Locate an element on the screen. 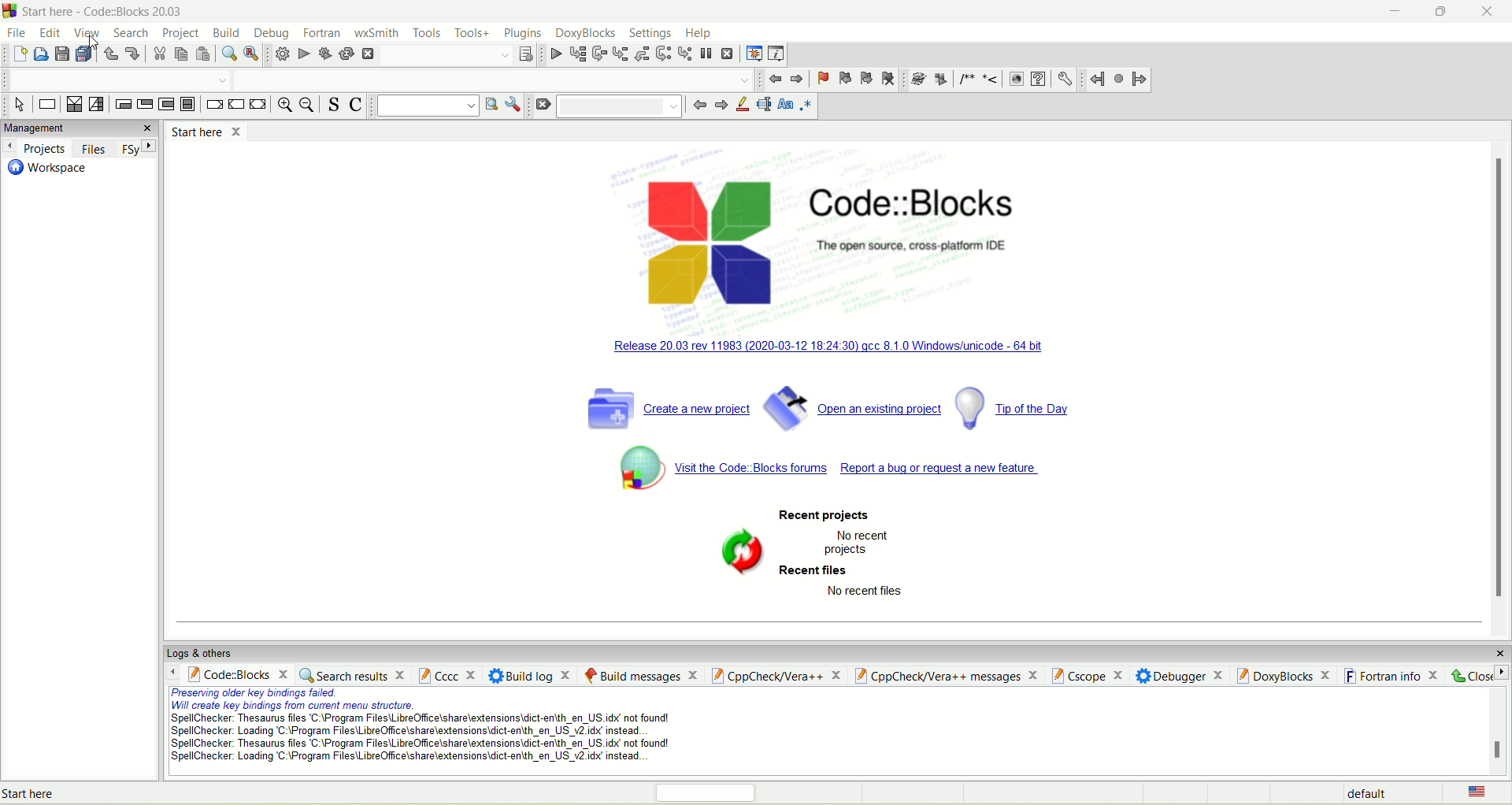 The height and width of the screenshot is (805, 1512). run search is located at coordinates (490, 105).